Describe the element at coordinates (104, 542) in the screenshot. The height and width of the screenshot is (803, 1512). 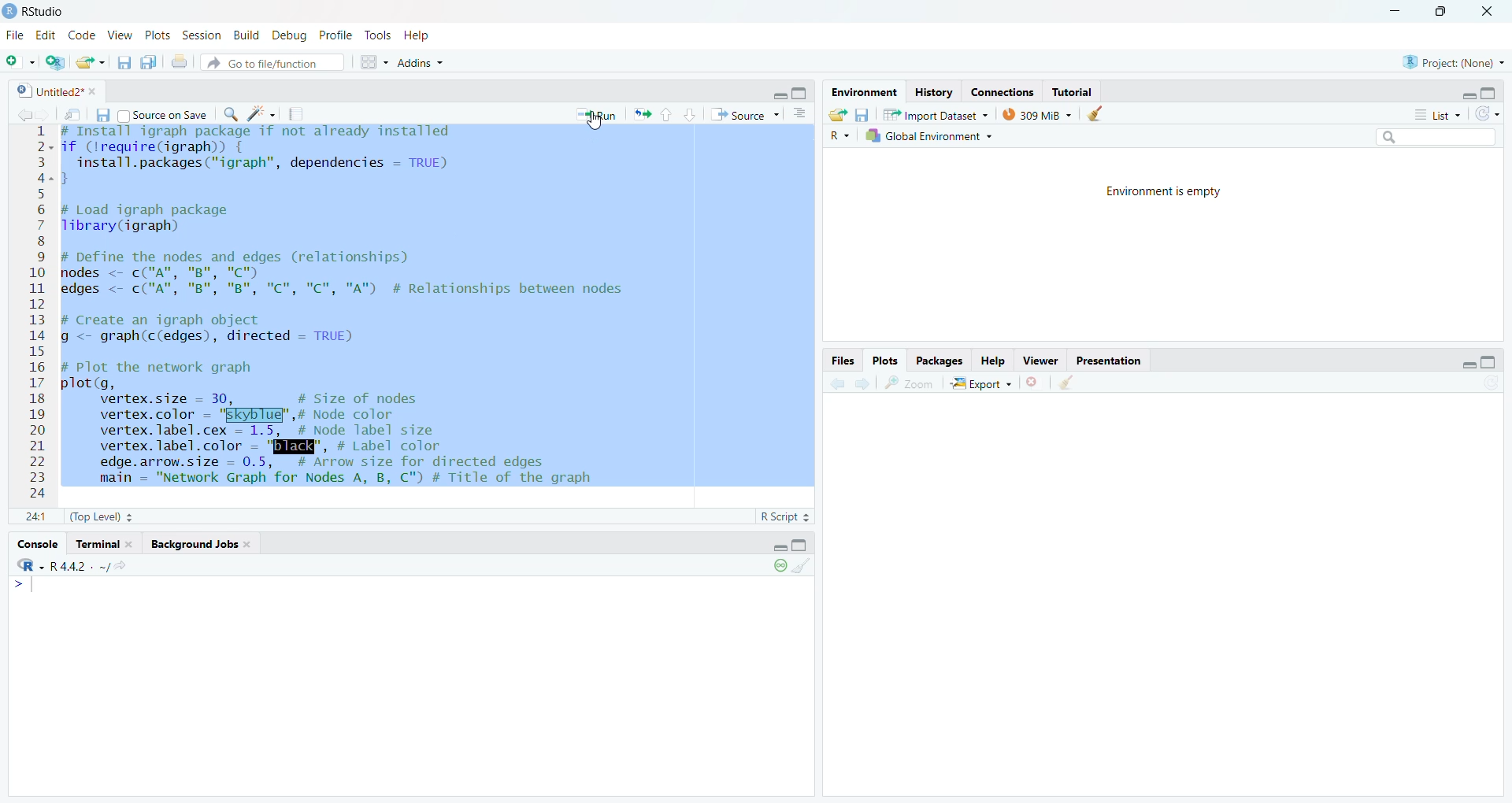
I see `Sarminal` at that location.